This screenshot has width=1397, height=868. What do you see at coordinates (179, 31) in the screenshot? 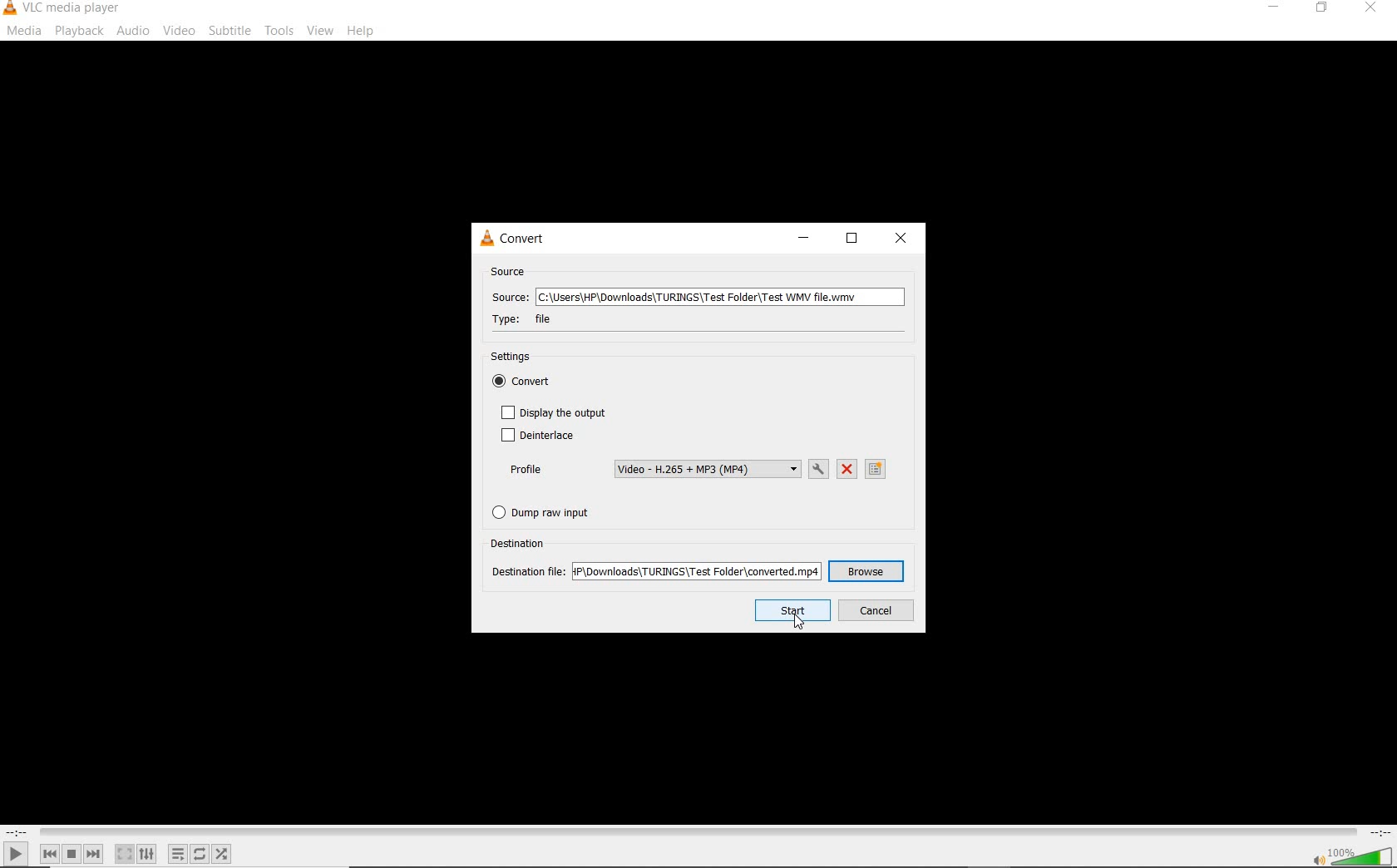
I see `video` at bounding box center [179, 31].